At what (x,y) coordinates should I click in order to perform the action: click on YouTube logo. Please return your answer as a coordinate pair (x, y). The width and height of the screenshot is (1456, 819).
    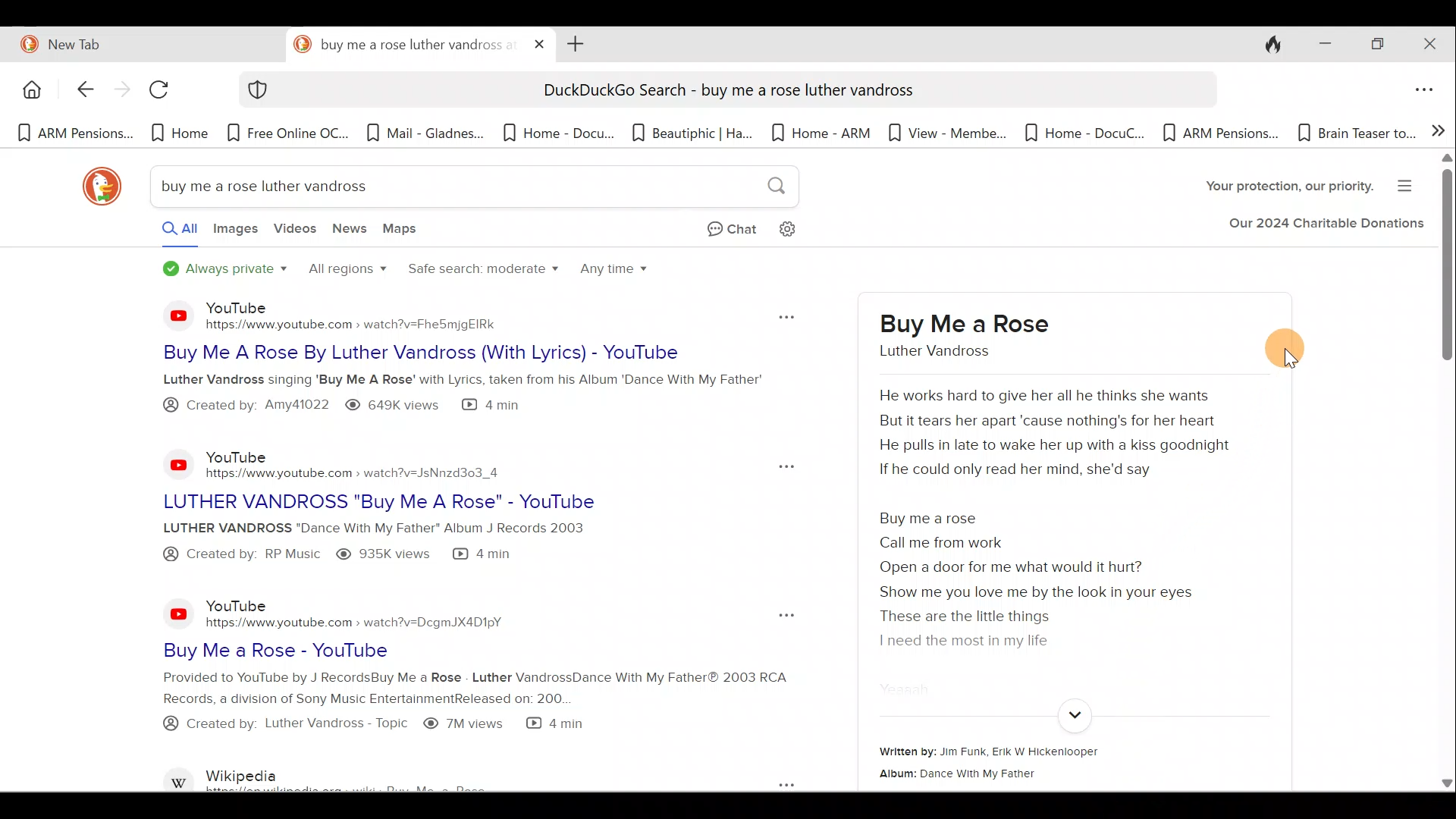
    Looking at the image, I should click on (170, 464).